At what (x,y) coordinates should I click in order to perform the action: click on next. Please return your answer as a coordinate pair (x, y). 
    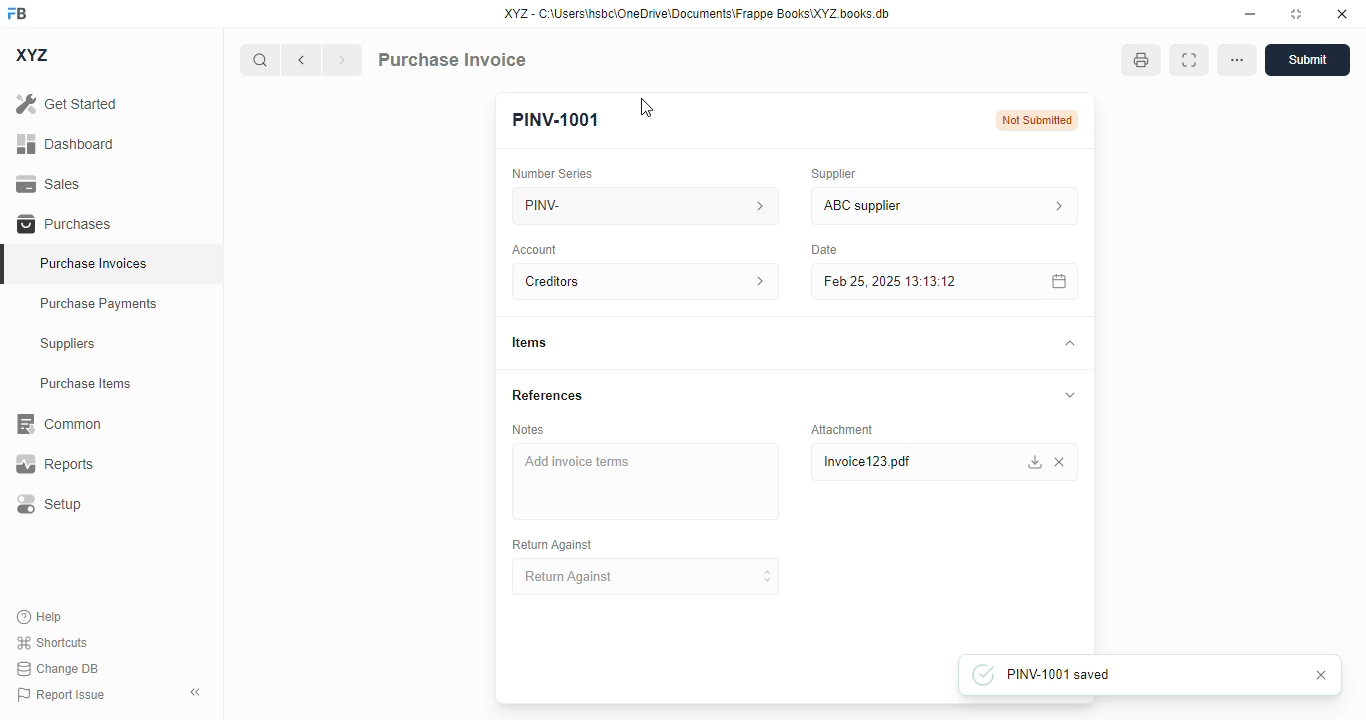
    Looking at the image, I should click on (342, 60).